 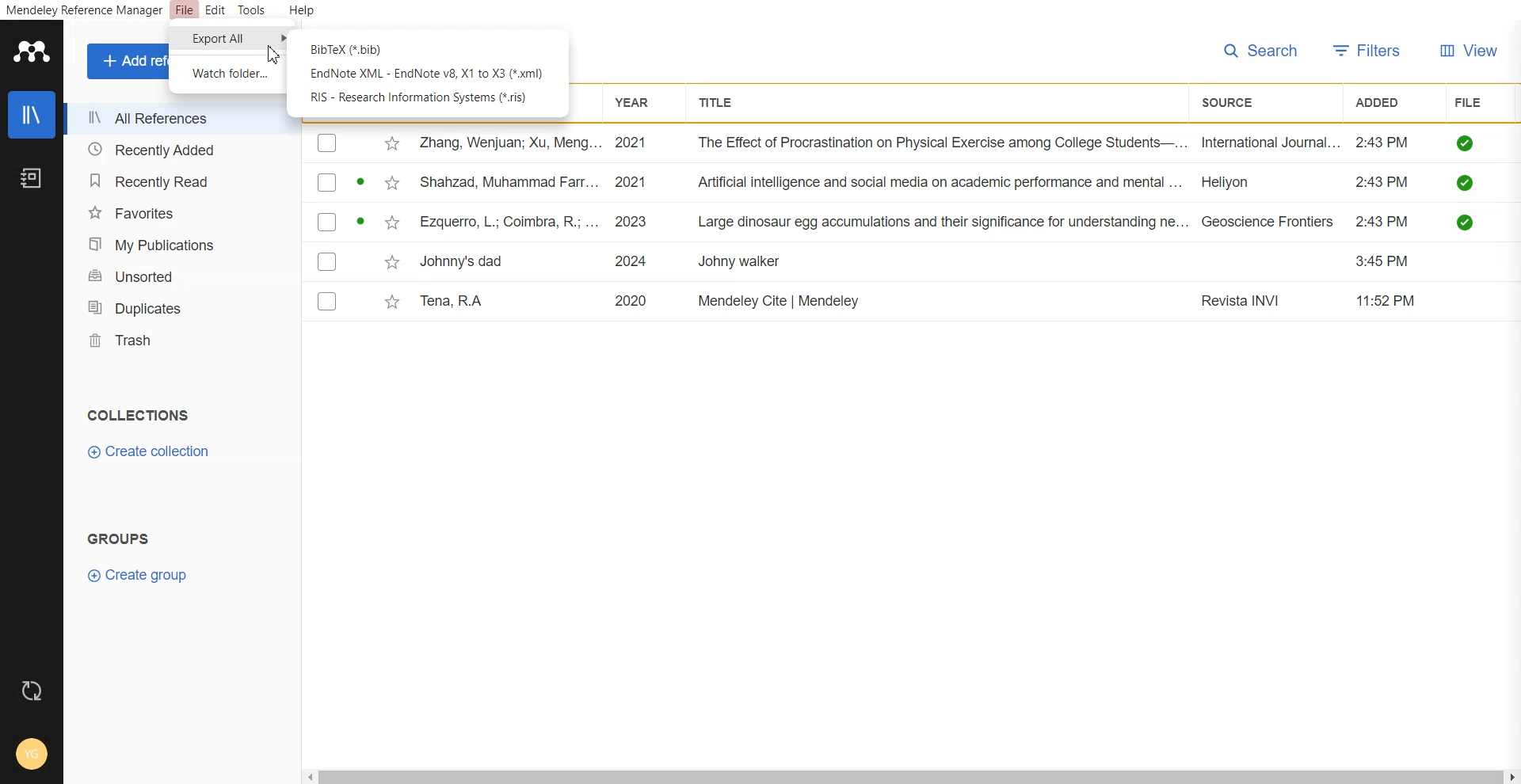 What do you see at coordinates (1245, 302) in the screenshot?
I see `Revista INVI` at bounding box center [1245, 302].